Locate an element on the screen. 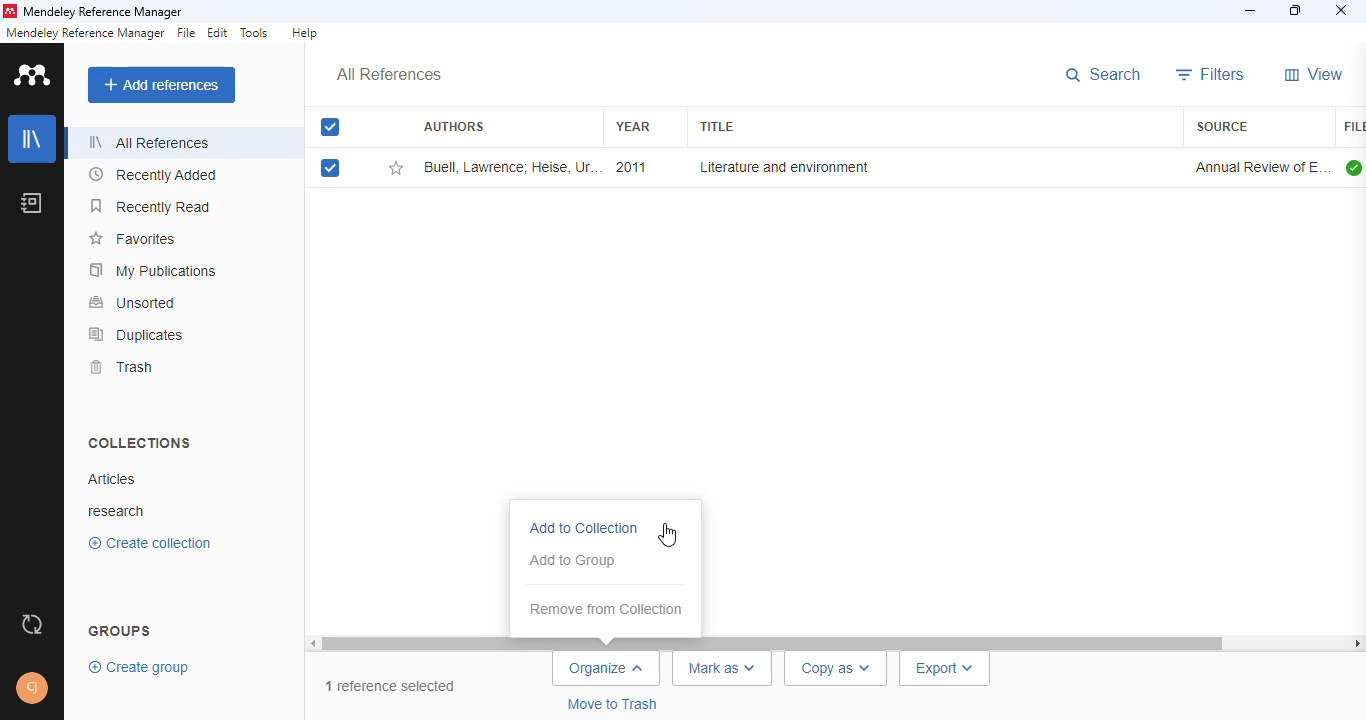 The height and width of the screenshot is (720, 1366). filters is located at coordinates (1211, 74).